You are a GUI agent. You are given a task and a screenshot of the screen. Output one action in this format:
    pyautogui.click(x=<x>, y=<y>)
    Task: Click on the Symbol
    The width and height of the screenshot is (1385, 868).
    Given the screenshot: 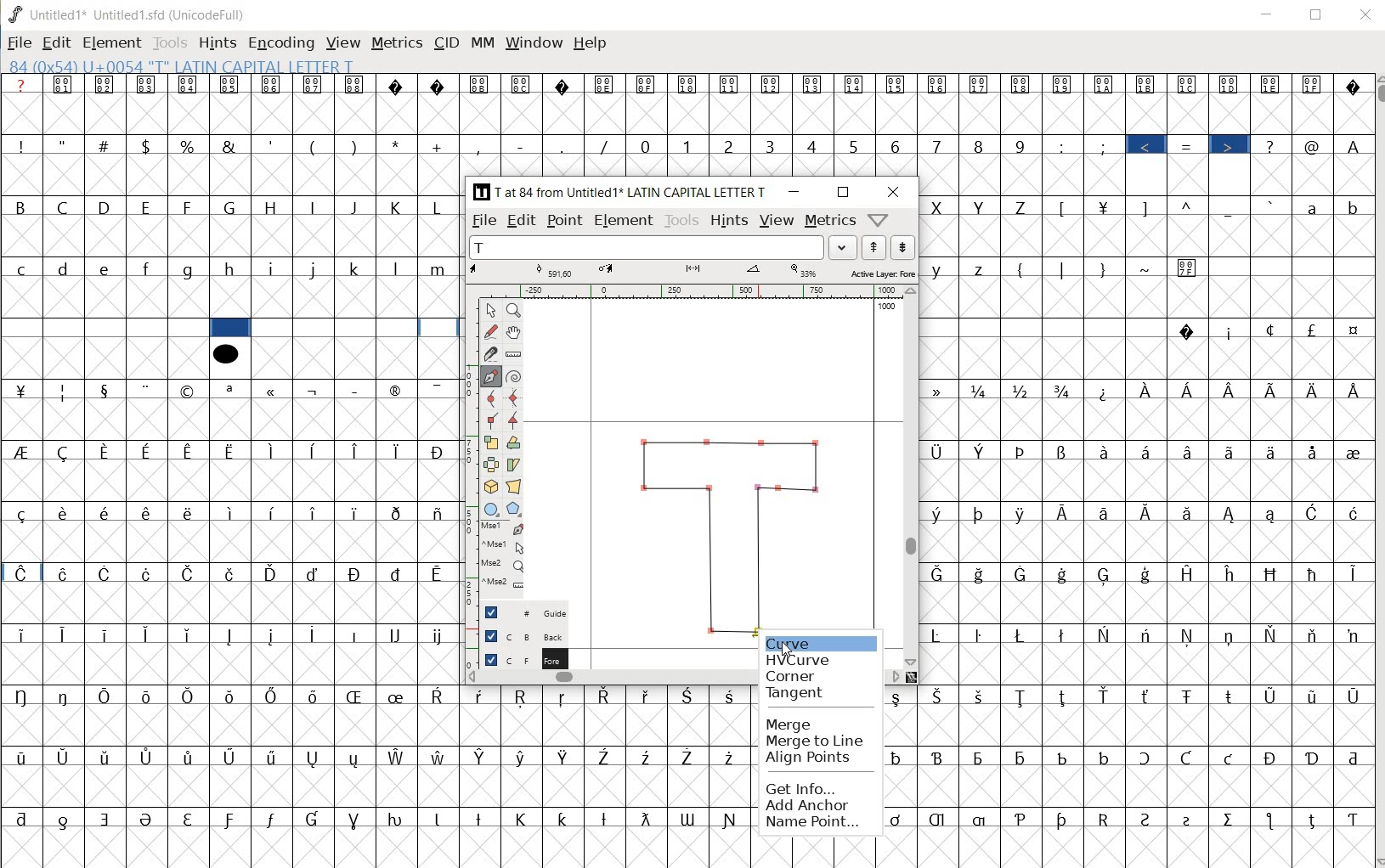 What is the action you would take?
    pyautogui.click(x=439, y=696)
    